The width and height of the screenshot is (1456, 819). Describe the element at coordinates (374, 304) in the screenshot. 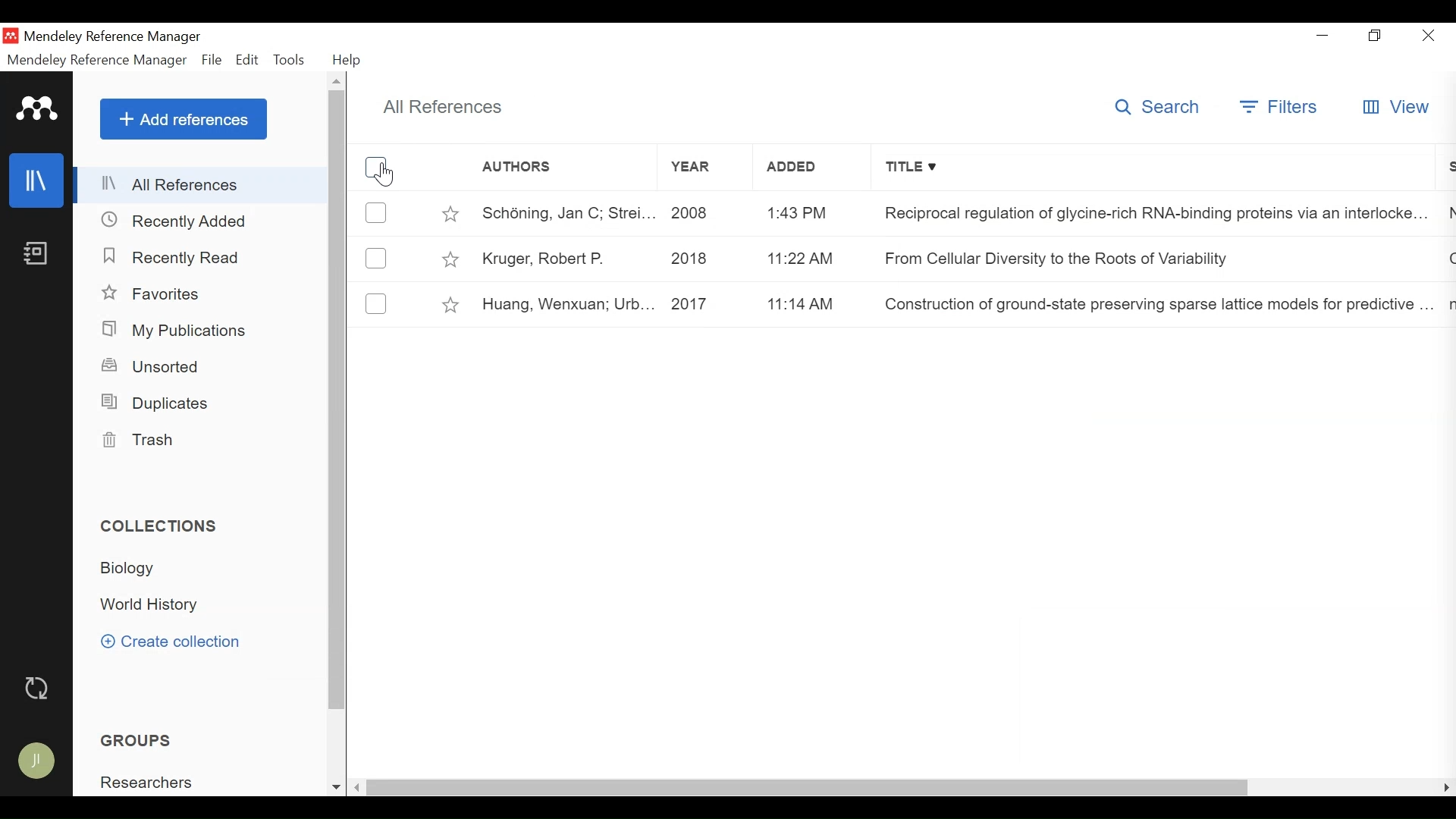

I see `(un)select` at that location.